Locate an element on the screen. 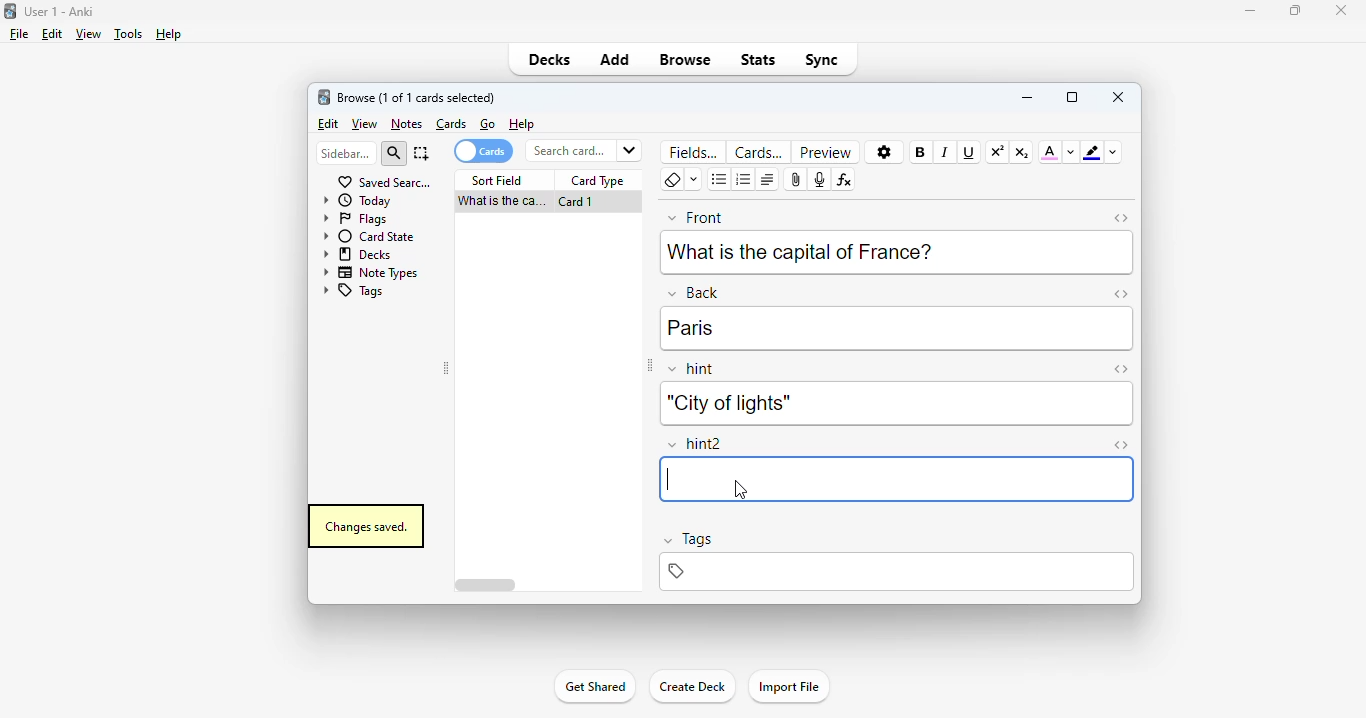 The image size is (1366, 718). bold is located at coordinates (919, 151).